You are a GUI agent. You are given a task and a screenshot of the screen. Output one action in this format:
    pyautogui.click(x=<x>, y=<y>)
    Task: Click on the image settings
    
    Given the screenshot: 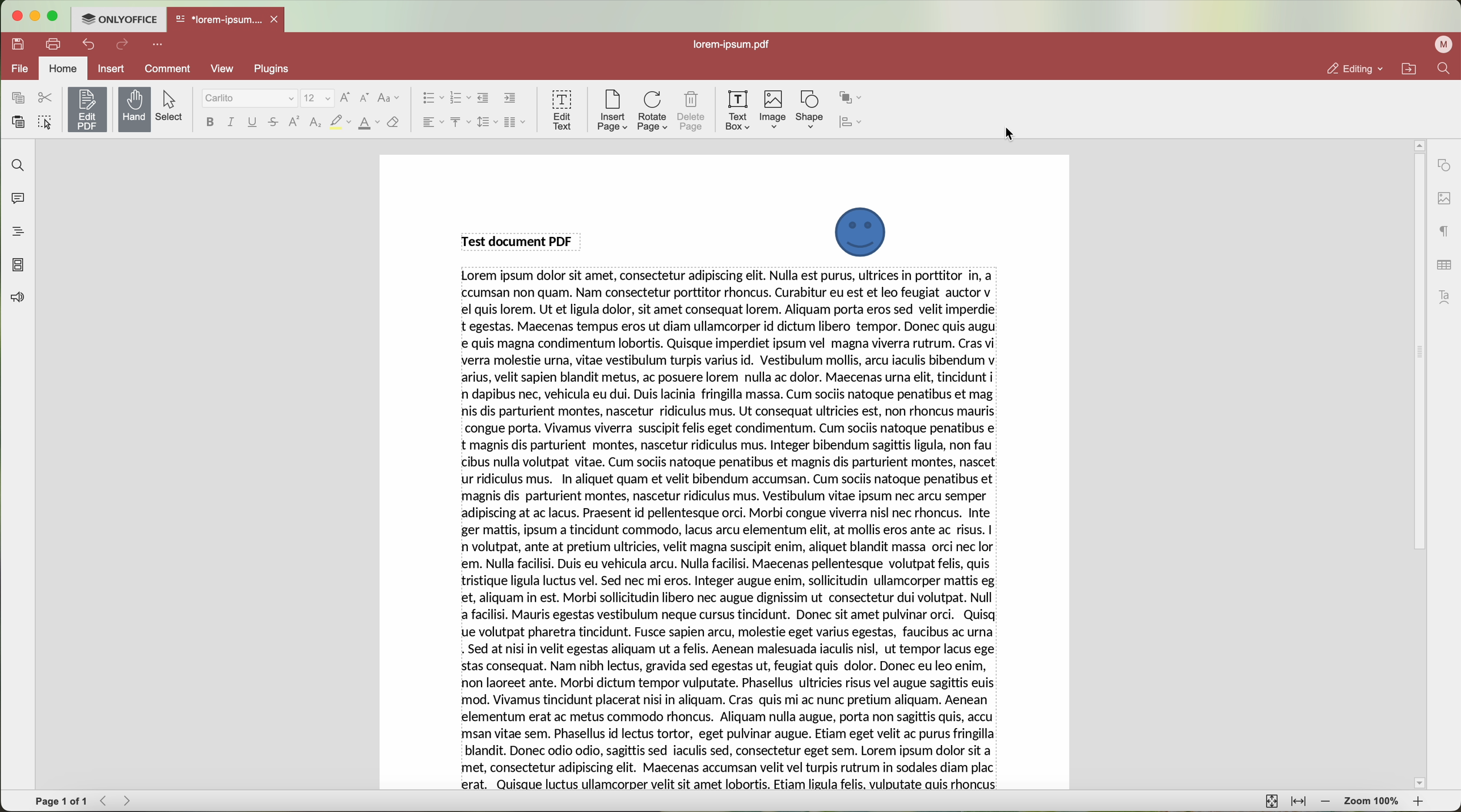 What is the action you would take?
    pyautogui.click(x=1443, y=198)
    